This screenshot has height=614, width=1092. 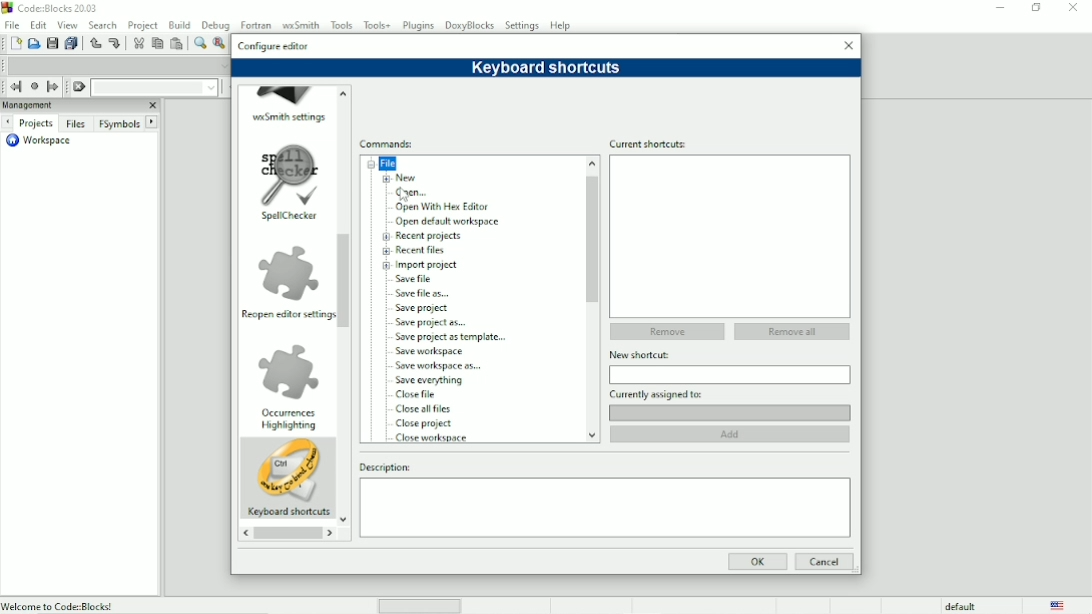 I want to click on Welcome to Code:Blocks , so click(x=59, y=605).